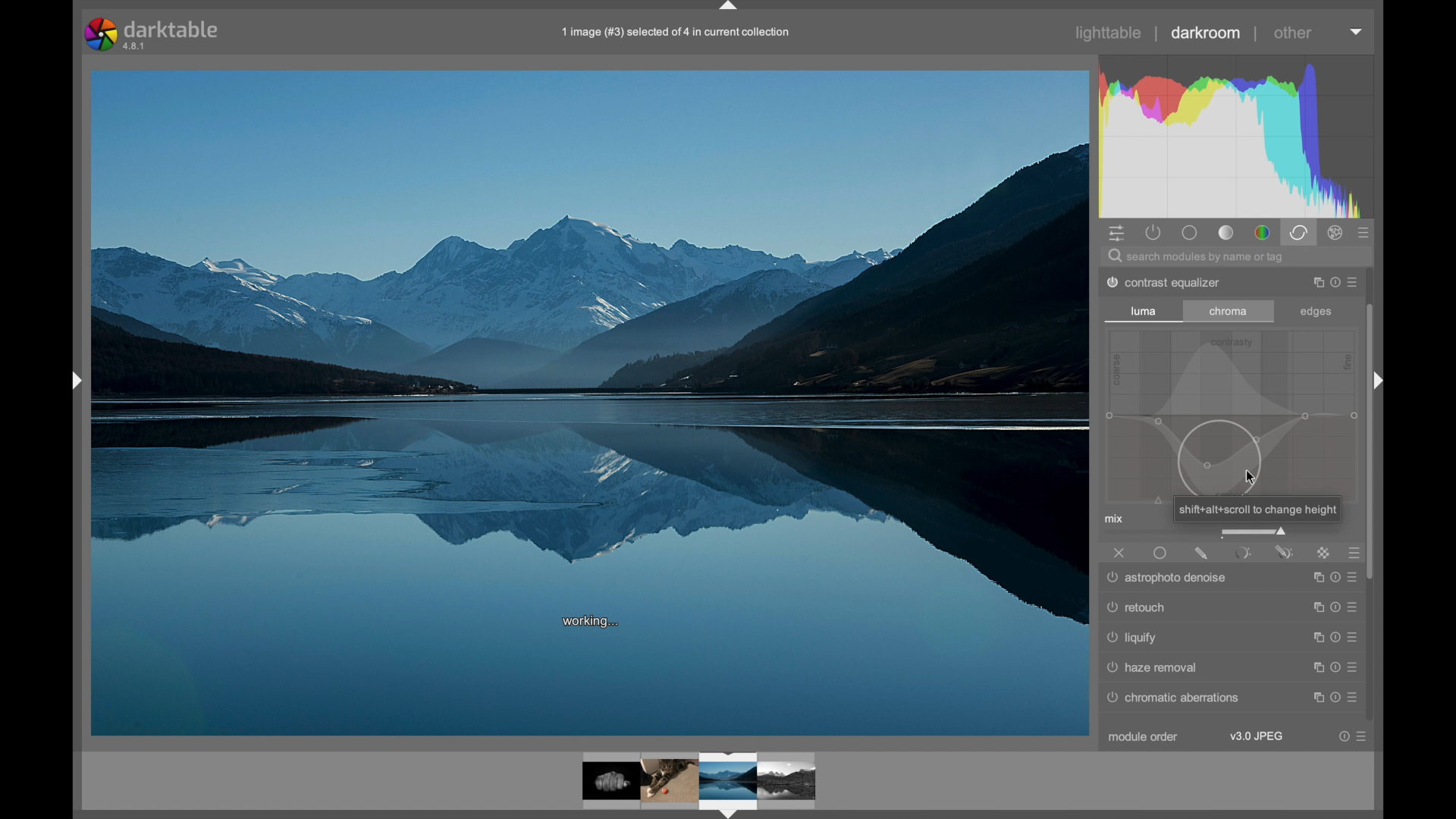  I want to click on search bar, so click(1241, 256).